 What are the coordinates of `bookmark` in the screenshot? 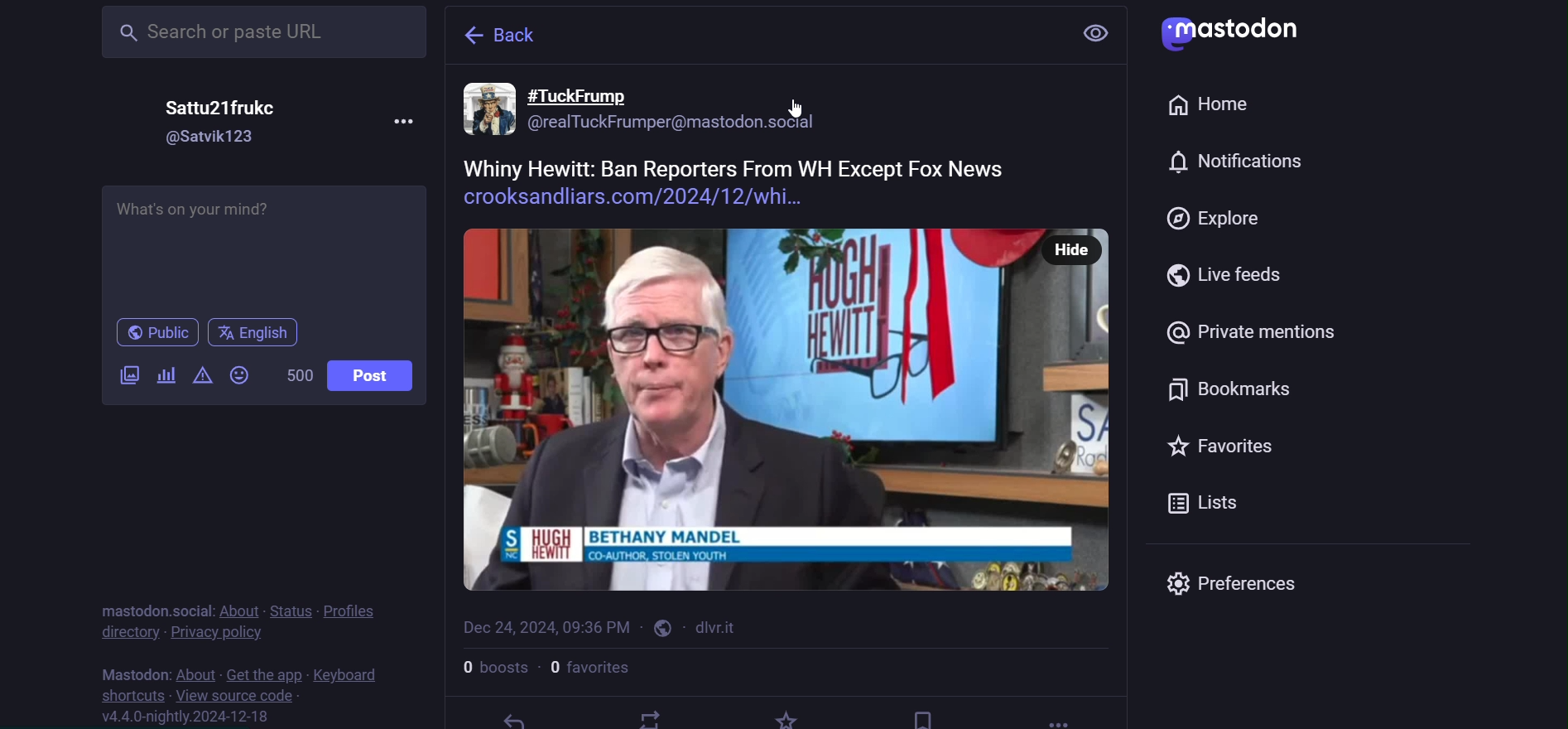 It's located at (923, 713).